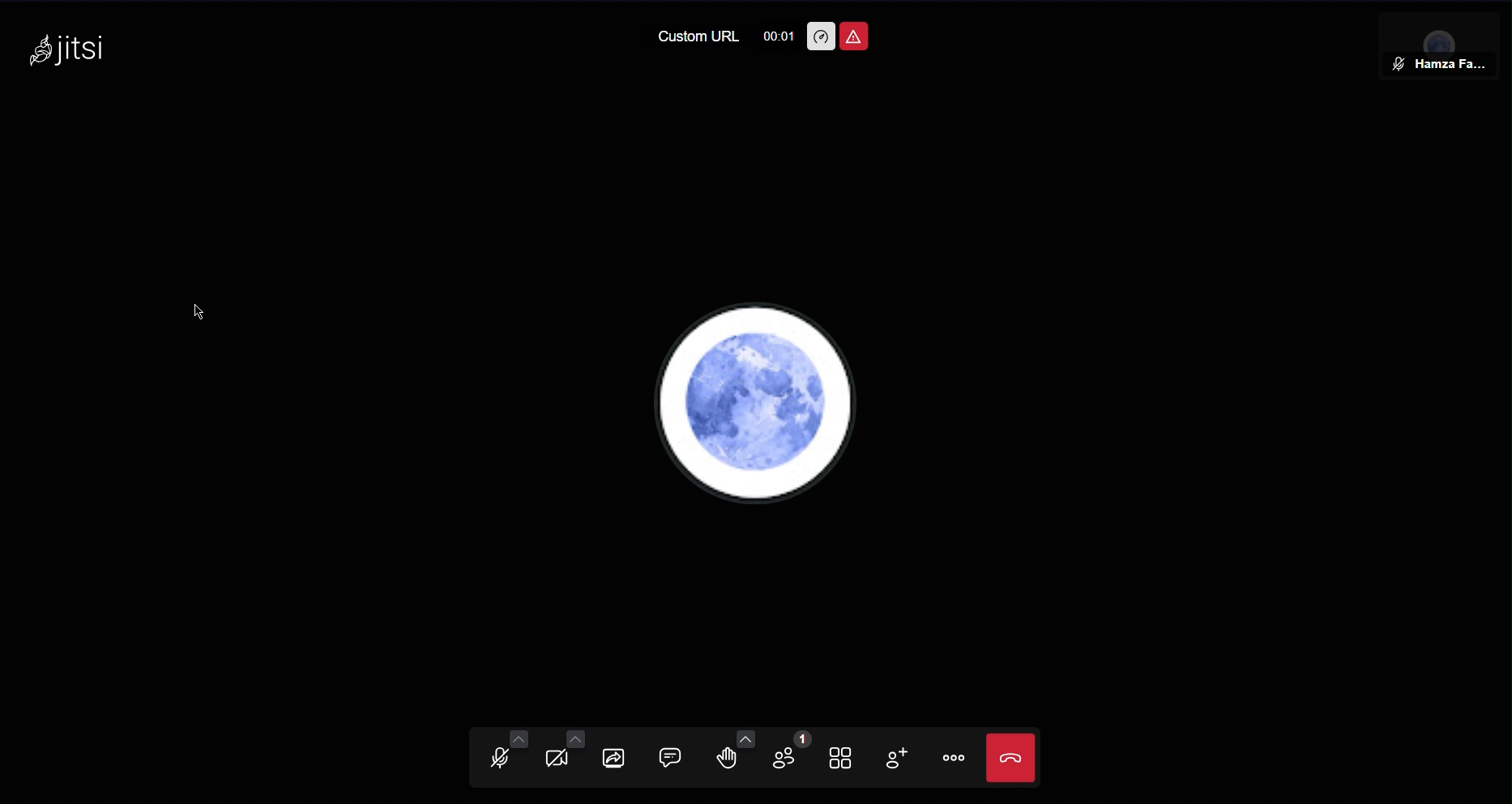  Describe the element at coordinates (560, 761) in the screenshot. I see `View` at that location.